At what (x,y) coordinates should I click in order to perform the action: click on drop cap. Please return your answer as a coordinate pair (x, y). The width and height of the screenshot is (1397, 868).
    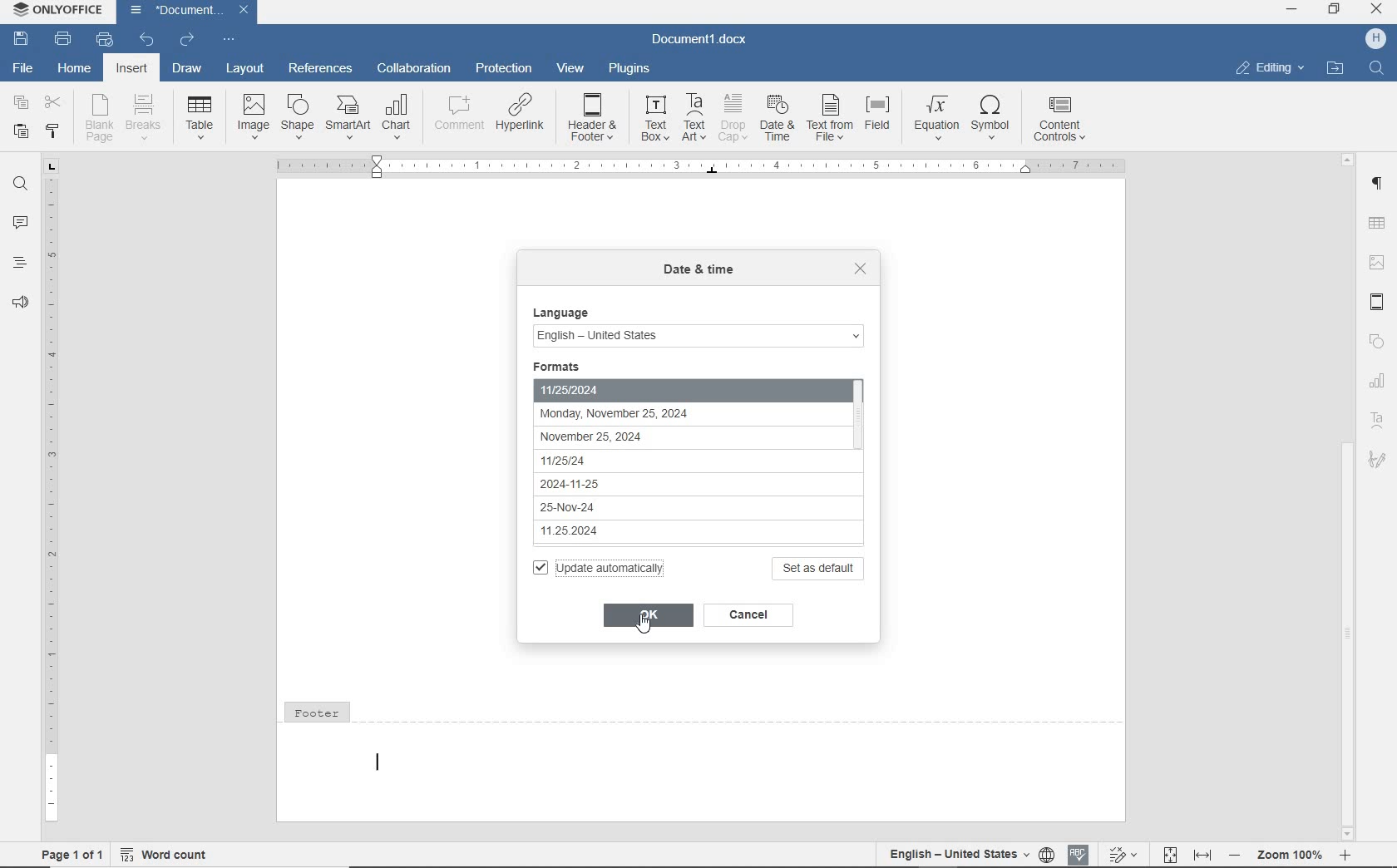
    Looking at the image, I should click on (733, 117).